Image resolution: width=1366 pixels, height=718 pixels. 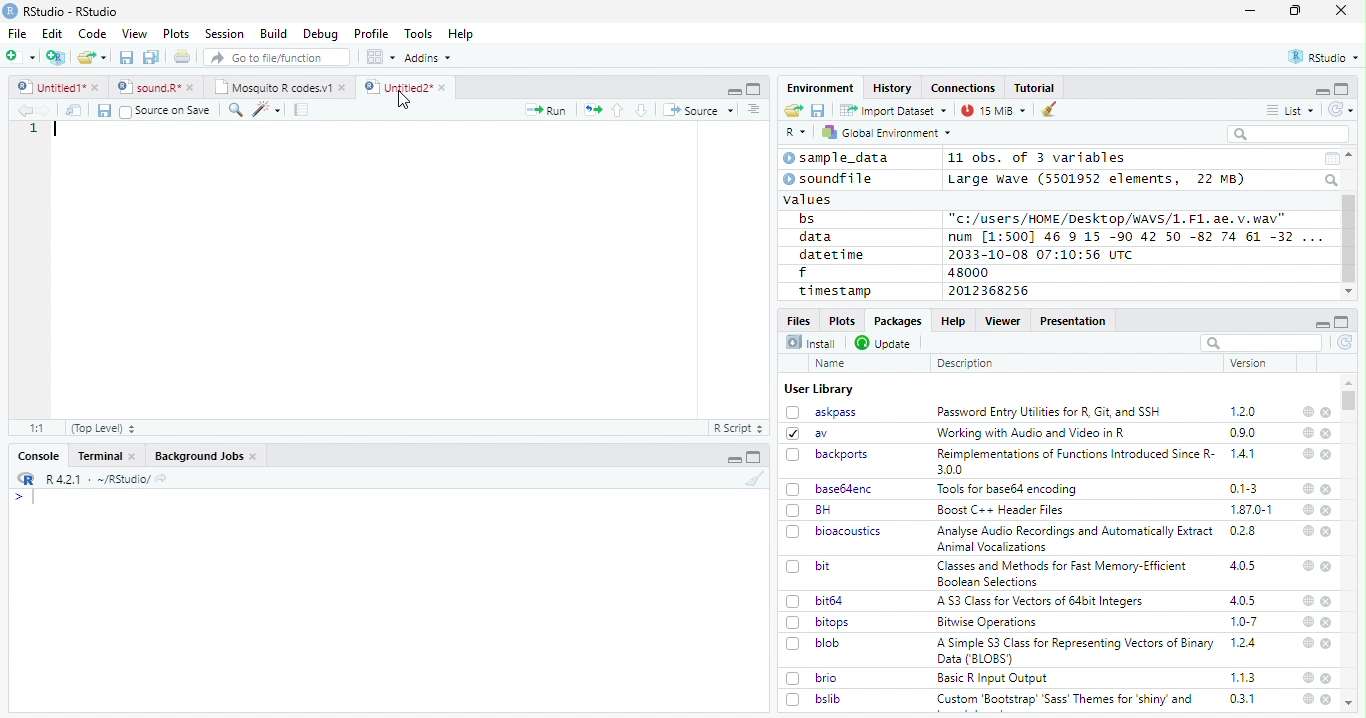 What do you see at coordinates (279, 87) in the screenshot?
I see `Mosquito R codes.v1` at bounding box center [279, 87].